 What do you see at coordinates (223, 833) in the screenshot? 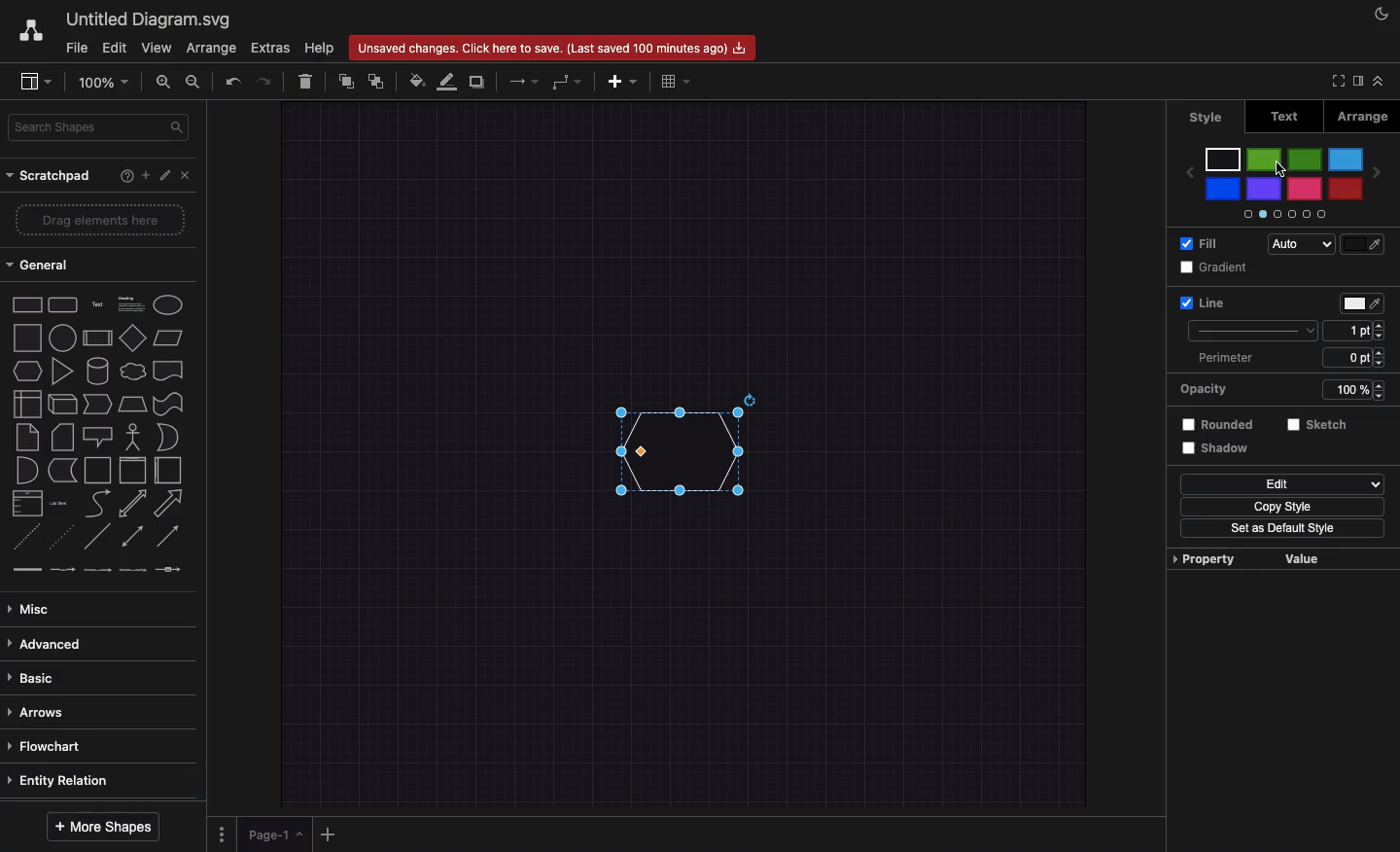
I see `Options` at bounding box center [223, 833].